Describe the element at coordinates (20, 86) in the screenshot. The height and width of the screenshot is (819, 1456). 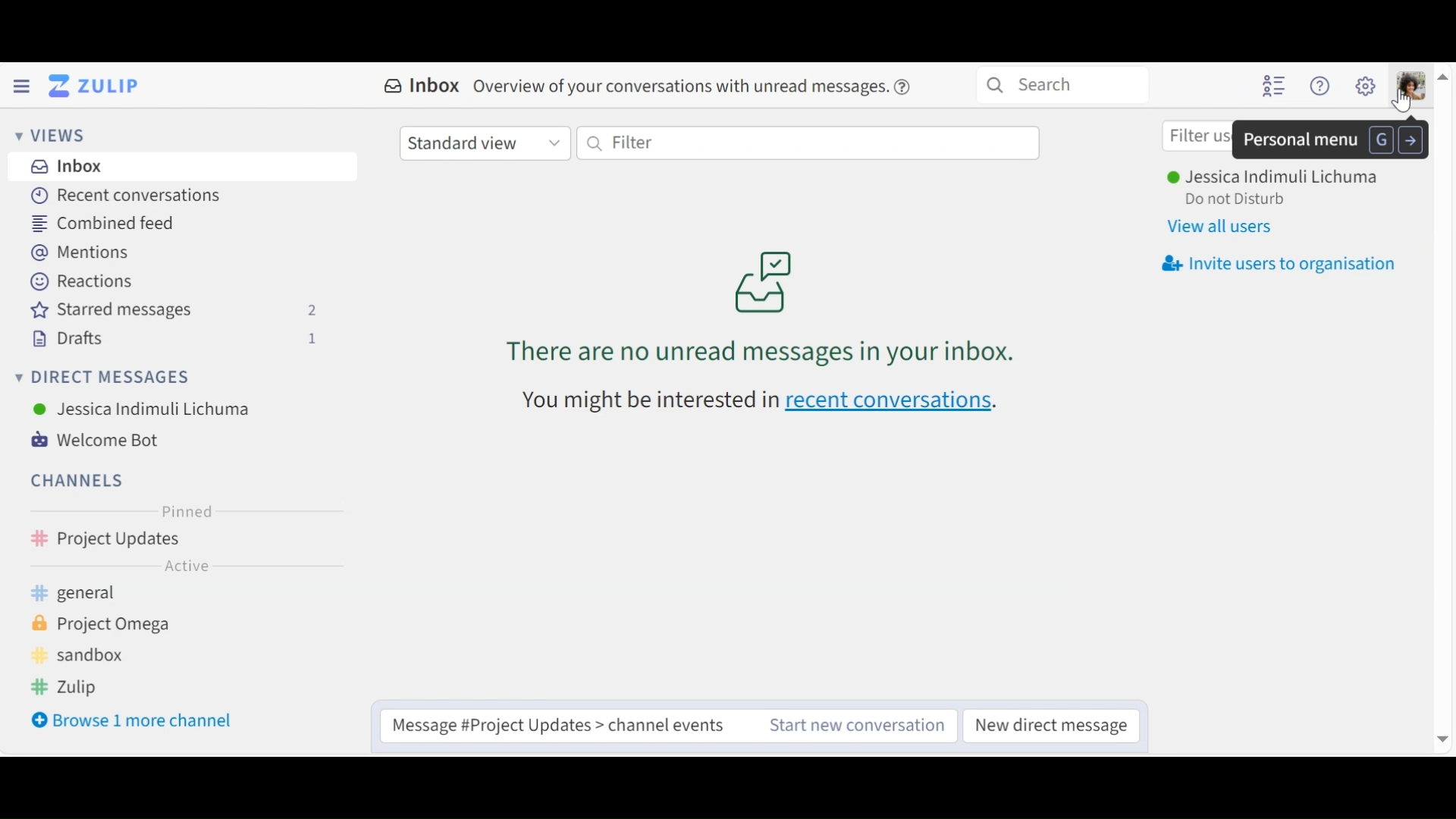
I see `Hamburger menu` at that location.